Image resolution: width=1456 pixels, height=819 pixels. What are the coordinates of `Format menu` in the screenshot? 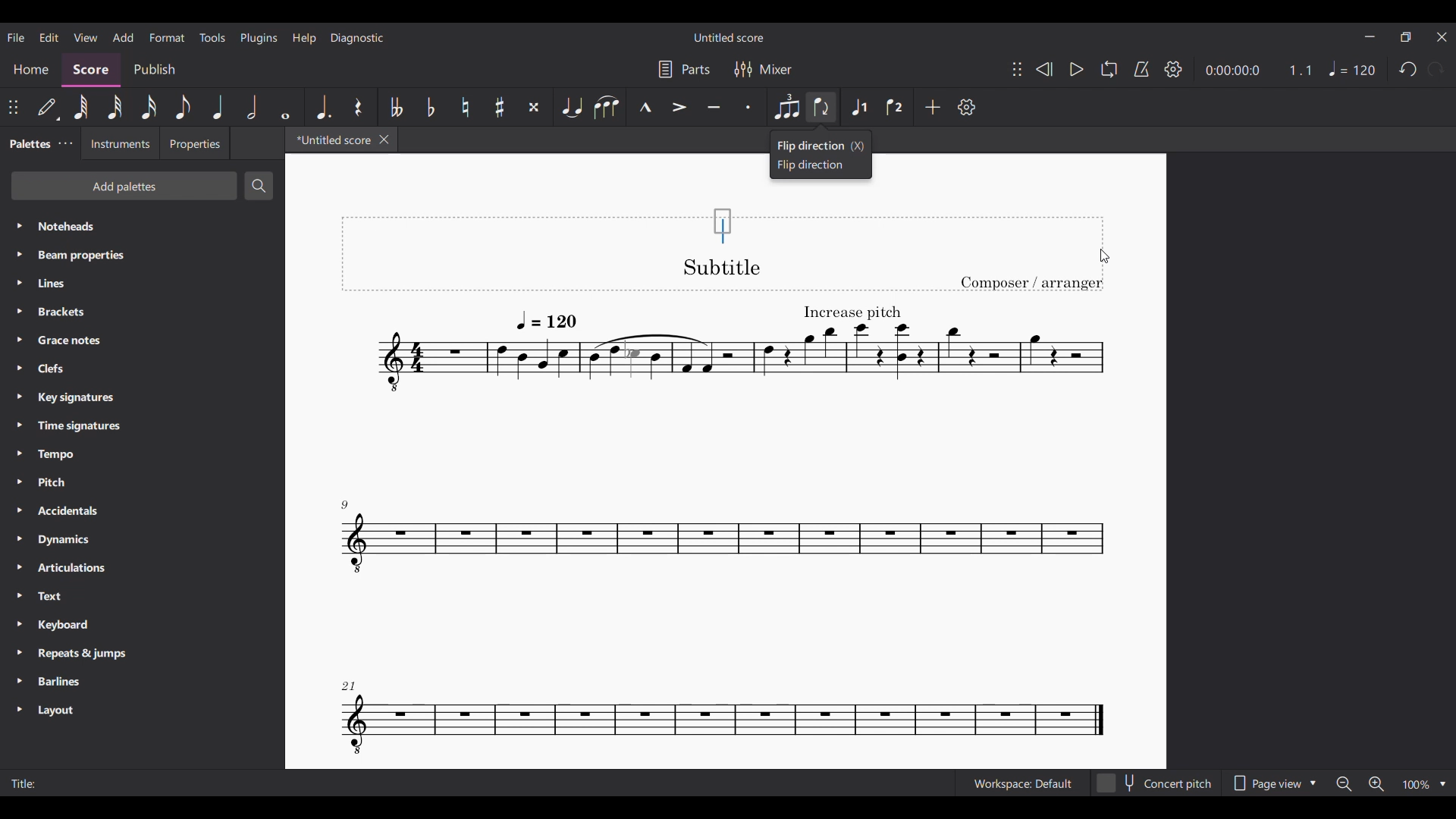 It's located at (167, 38).